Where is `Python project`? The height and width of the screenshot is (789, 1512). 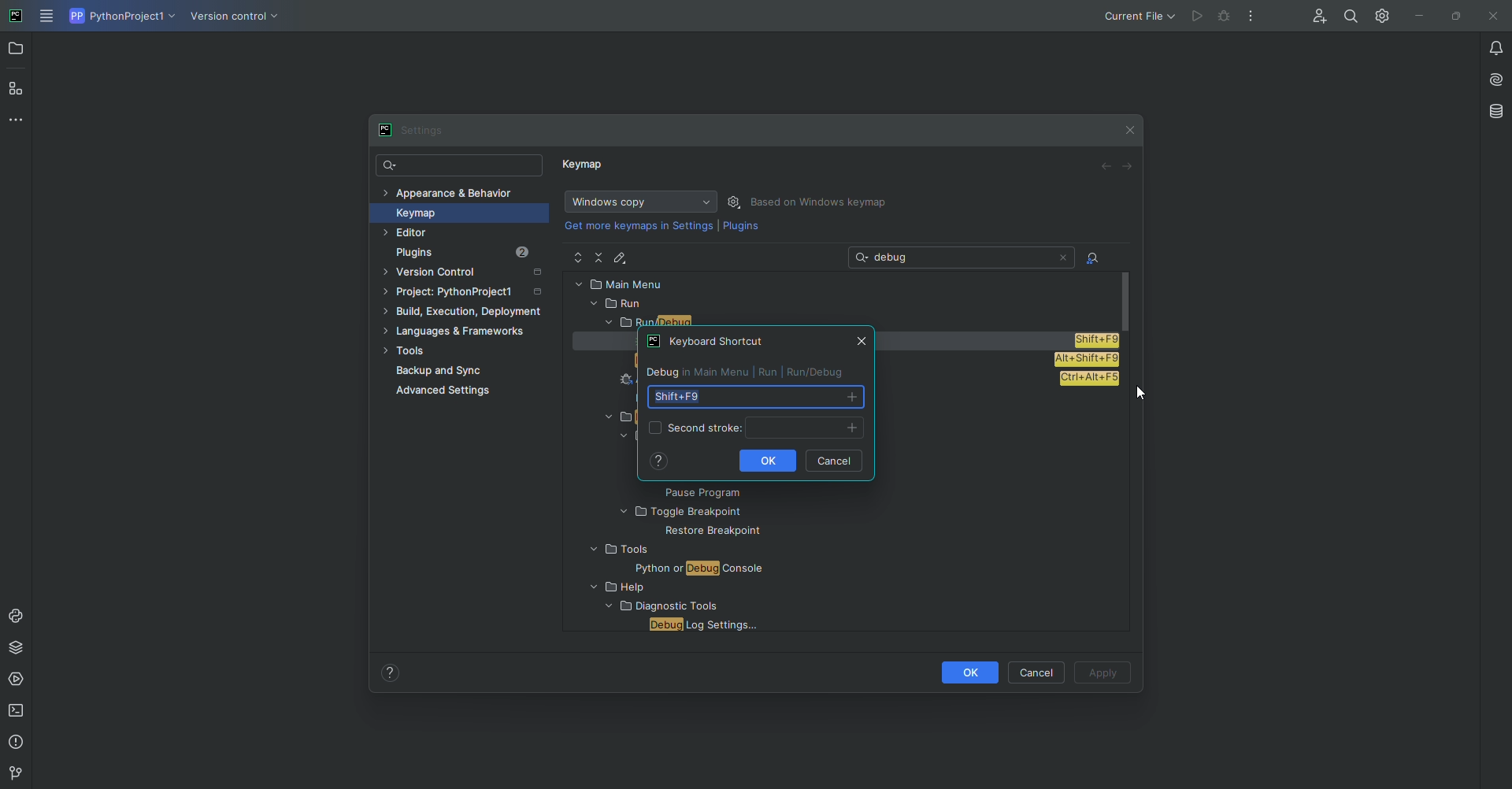 Python project is located at coordinates (120, 17).